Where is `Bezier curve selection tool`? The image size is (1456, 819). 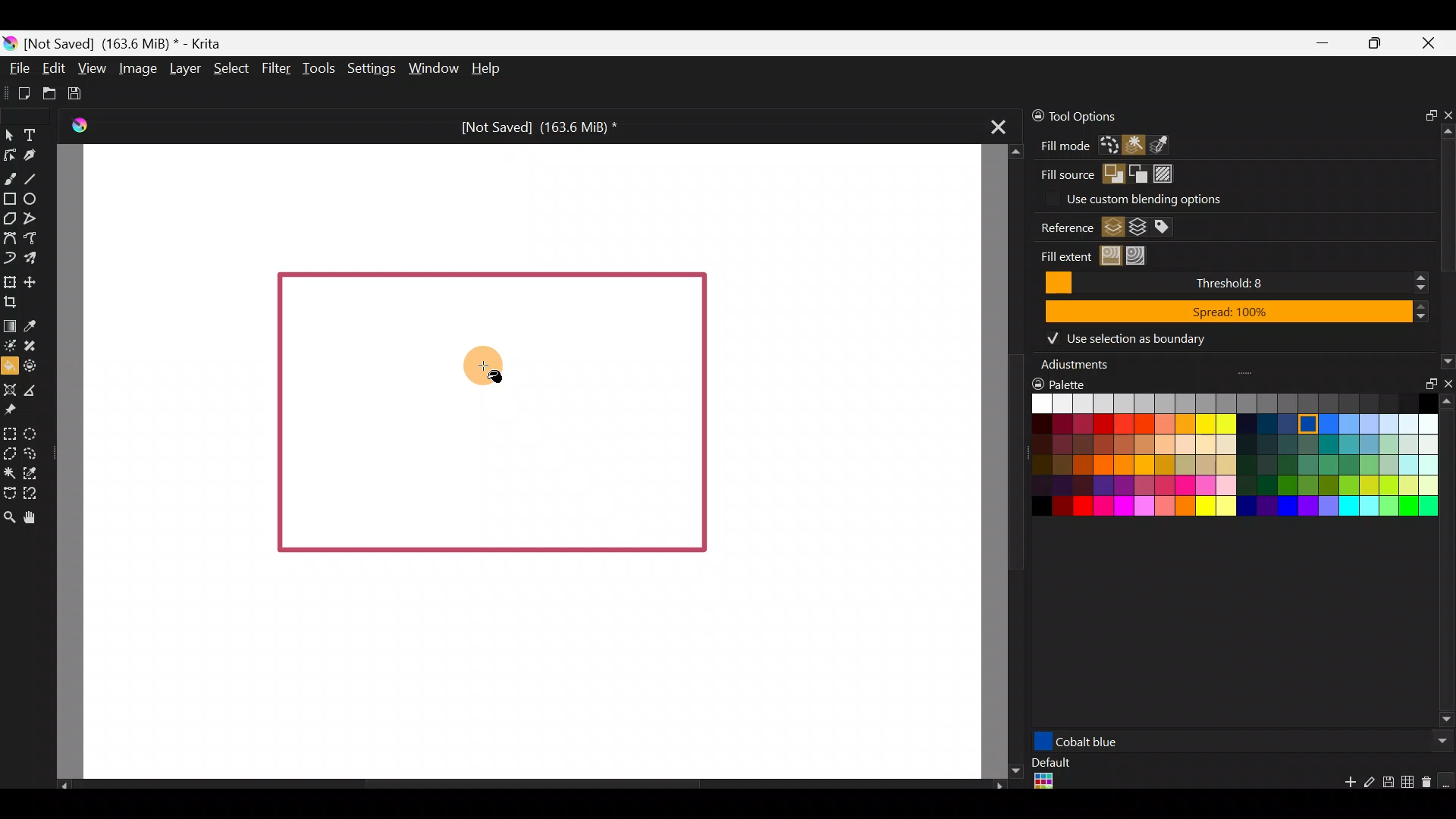 Bezier curve selection tool is located at coordinates (9, 494).